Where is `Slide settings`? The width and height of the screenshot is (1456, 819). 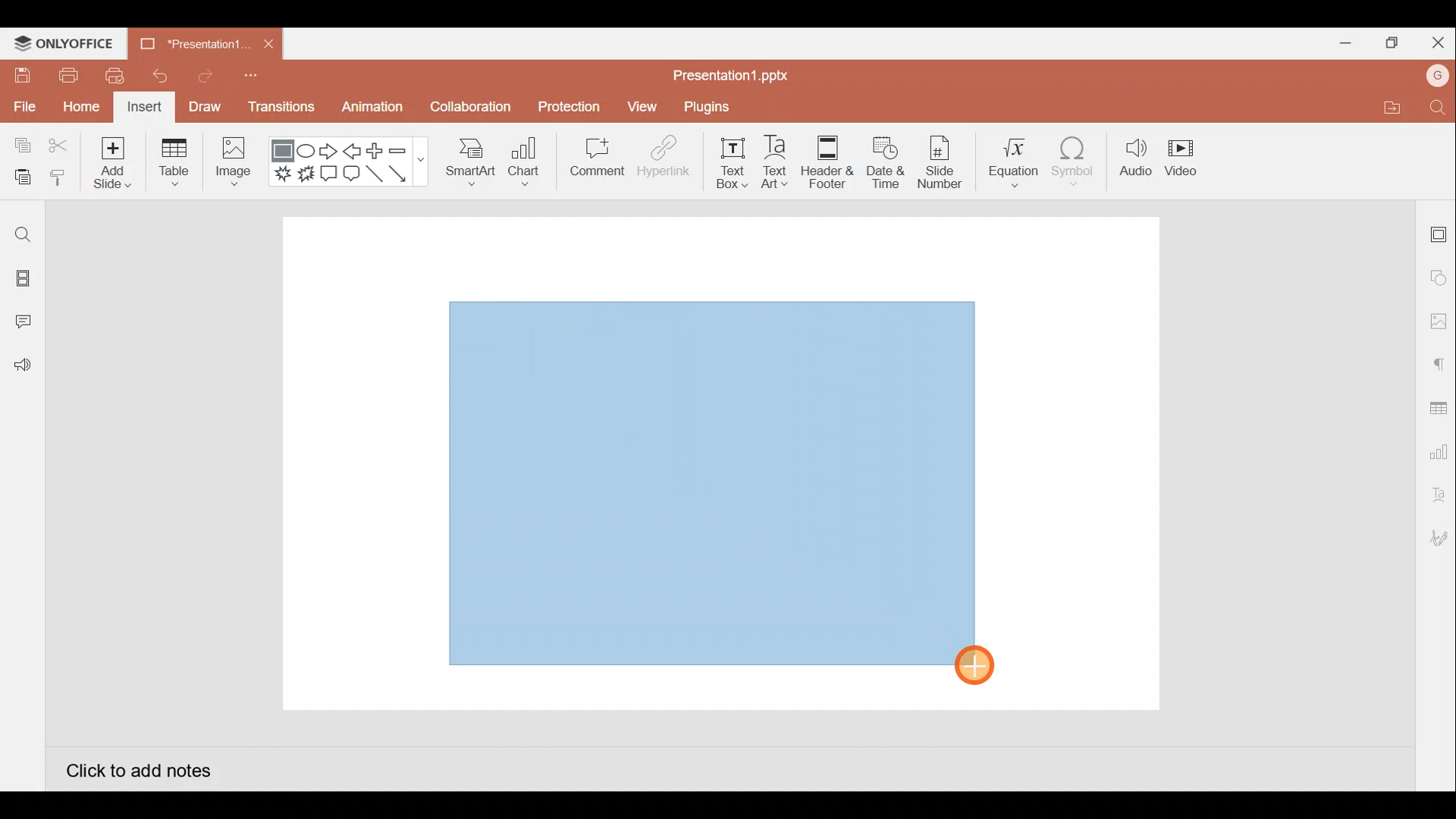 Slide settings is located at coordinates (1439, 231).